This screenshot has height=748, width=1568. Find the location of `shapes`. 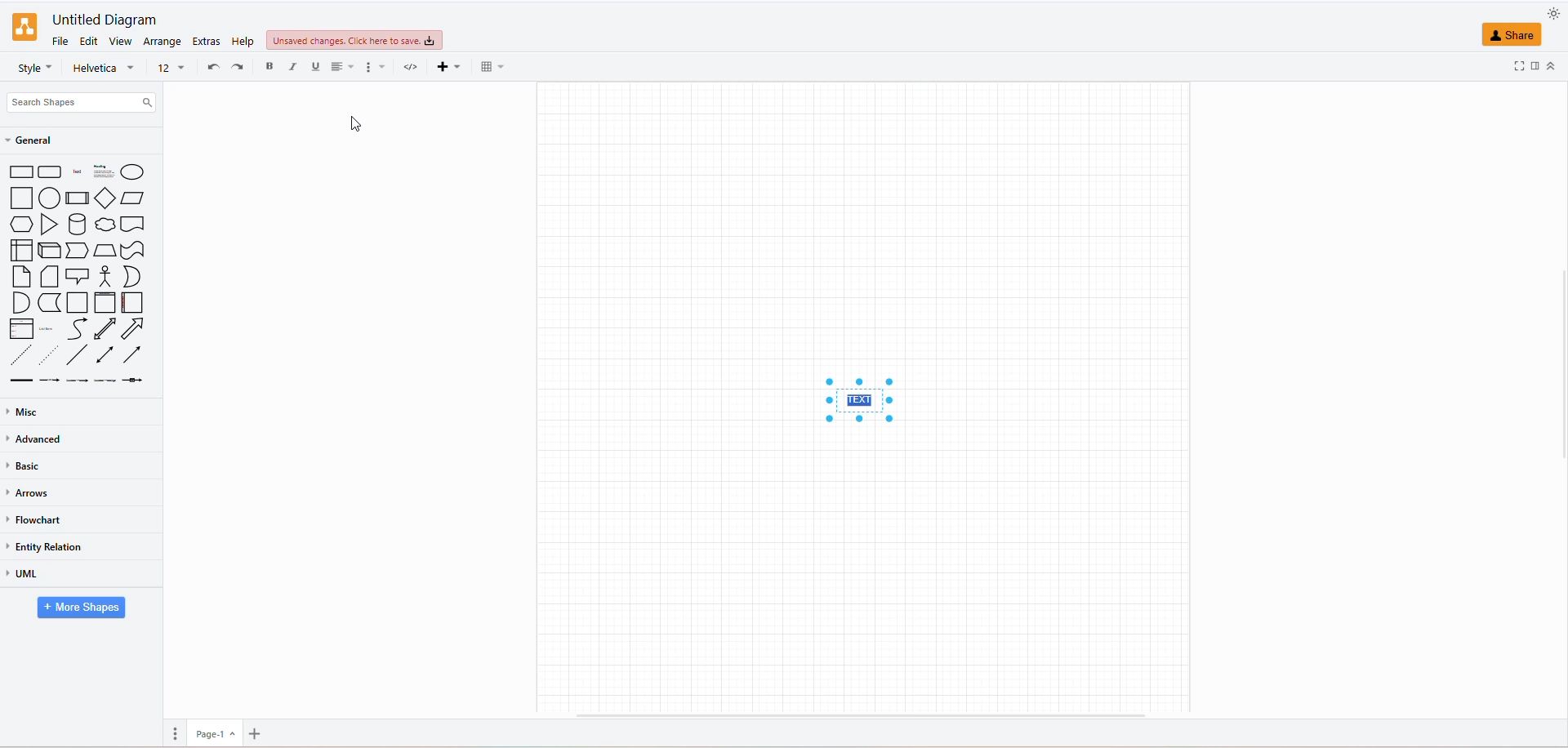

shapes is located at coordinates (82, 274).